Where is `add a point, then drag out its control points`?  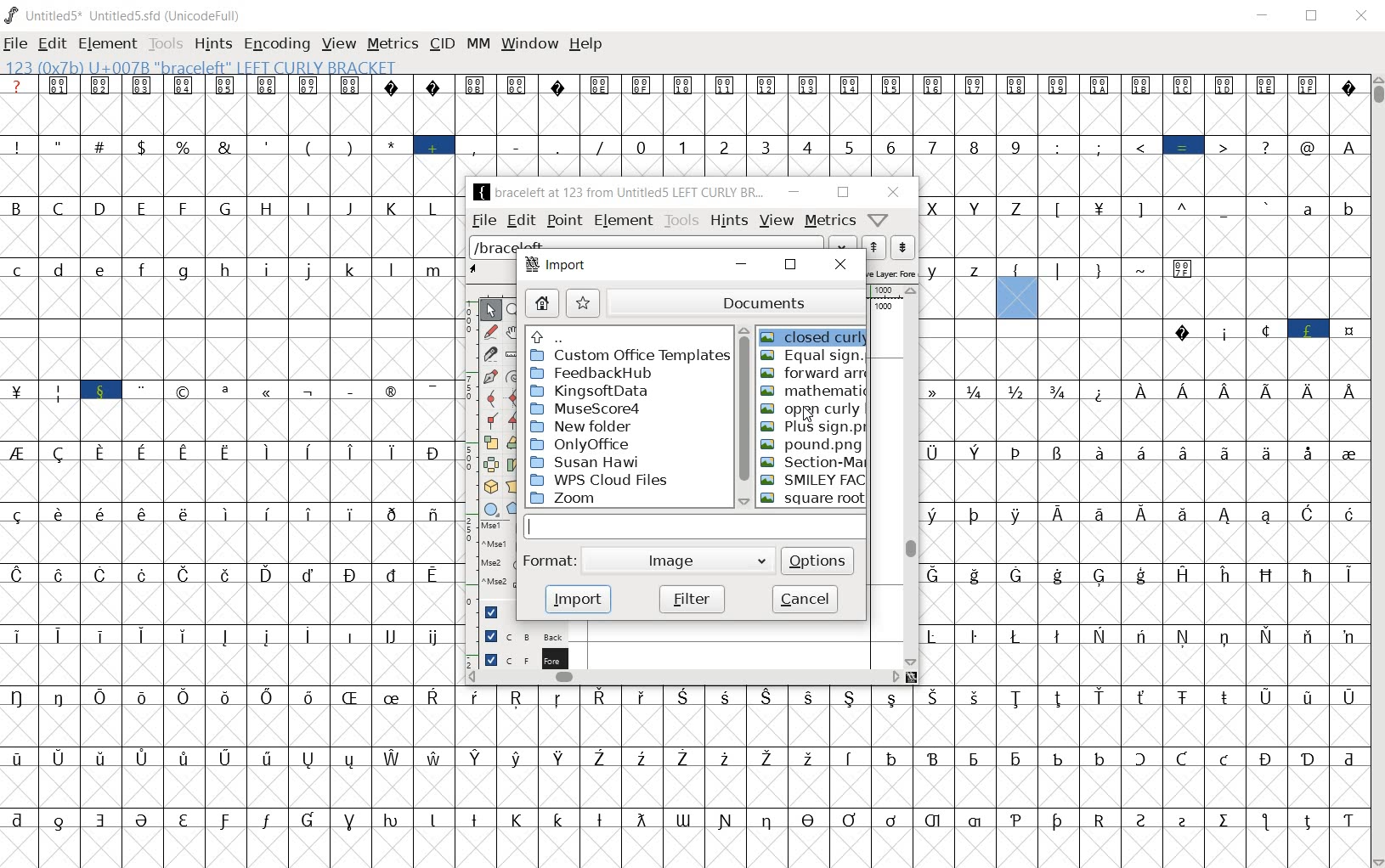
add a point, then drag out its control points is located at coordinates (487, 376).